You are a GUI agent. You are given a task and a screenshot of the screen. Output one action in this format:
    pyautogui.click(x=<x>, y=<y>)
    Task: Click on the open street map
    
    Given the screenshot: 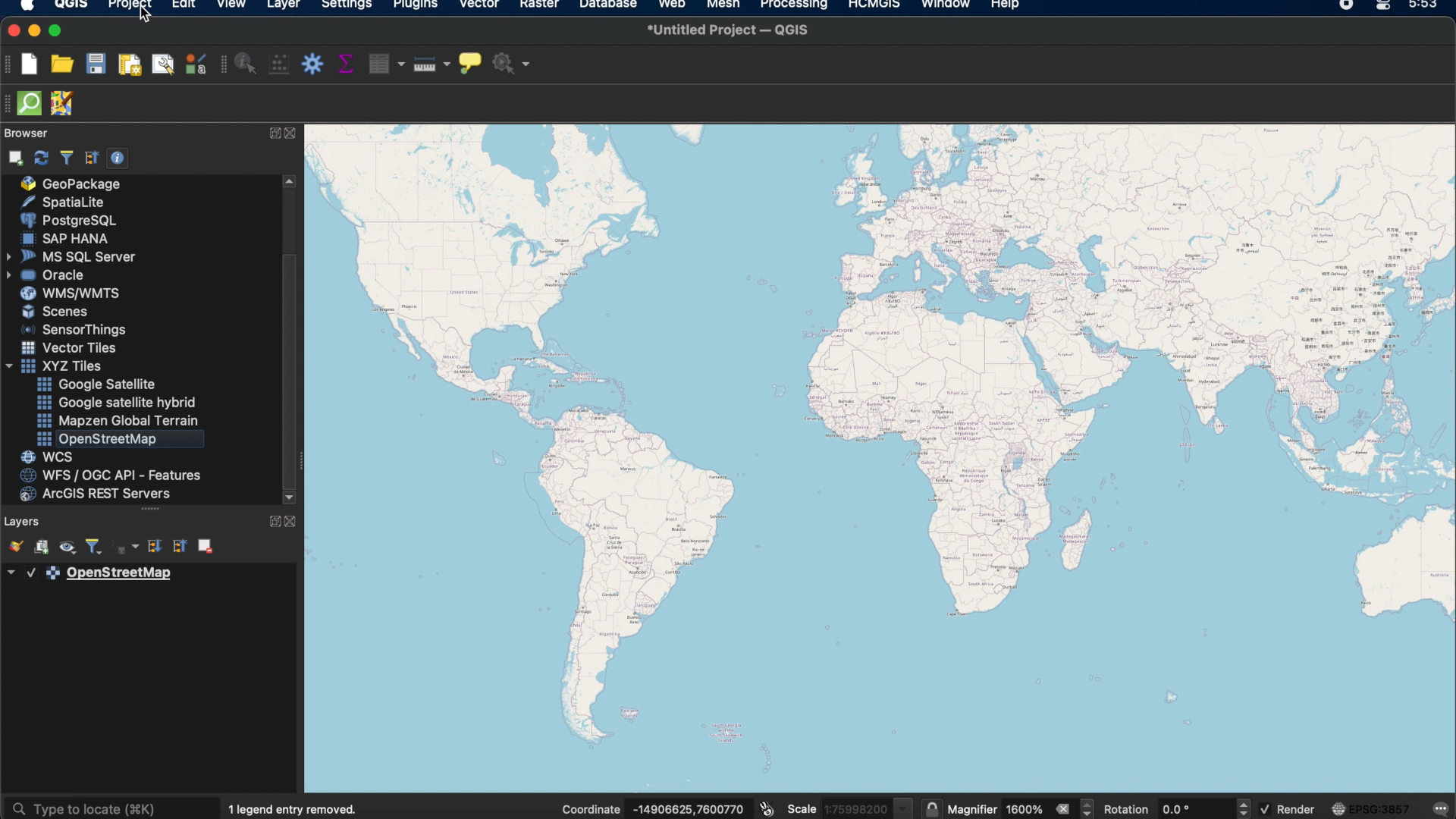 What is the action you would take?
    pyautogui.click(x=119, y=438)
    